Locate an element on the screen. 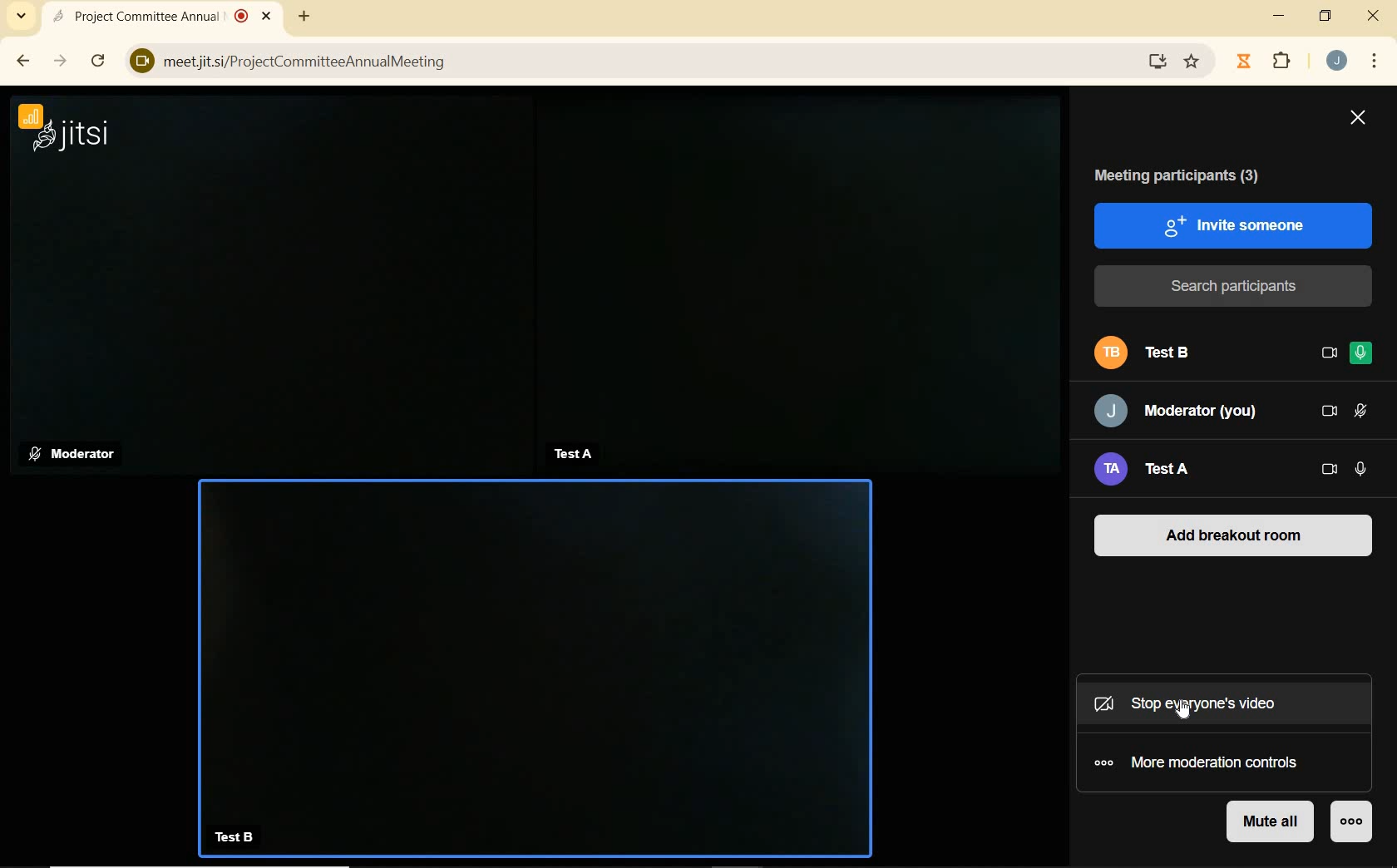  CAMERA is located at coordinates (1327, 355).